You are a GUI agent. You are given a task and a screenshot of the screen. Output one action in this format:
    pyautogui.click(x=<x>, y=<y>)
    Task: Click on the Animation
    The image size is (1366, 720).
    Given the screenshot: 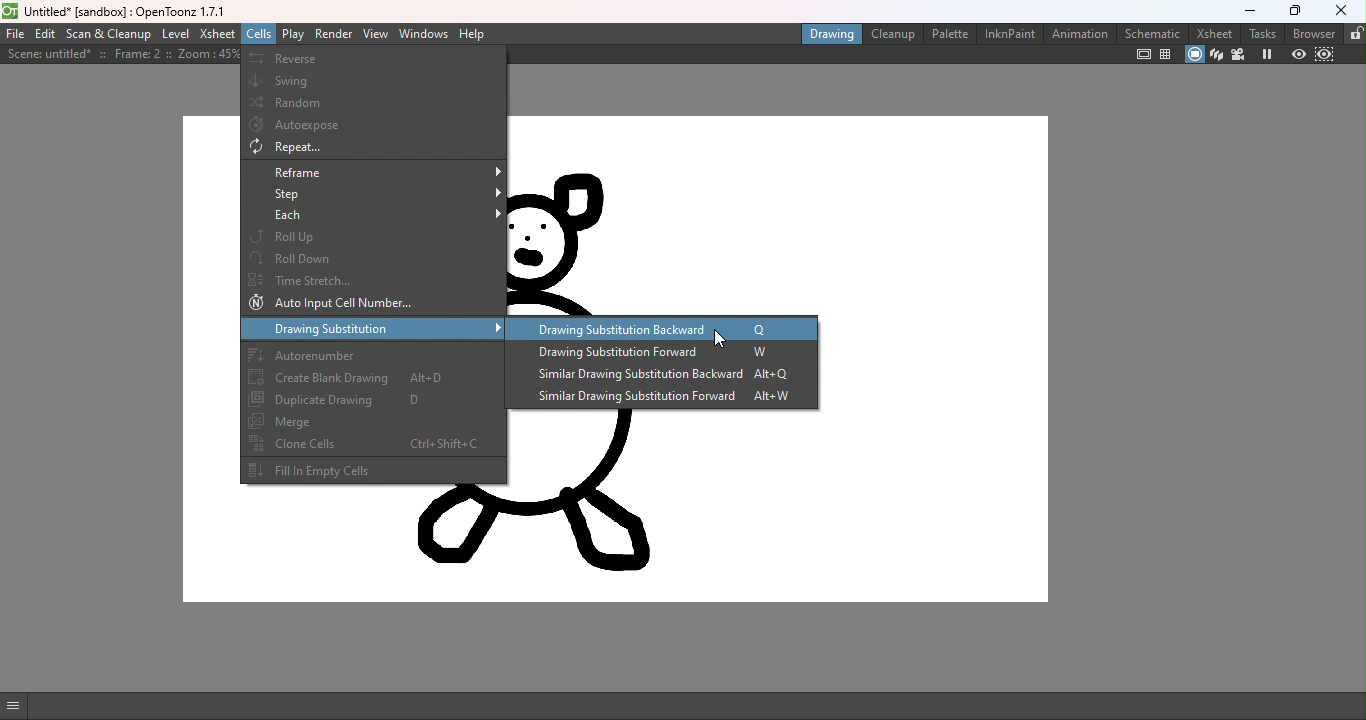 What is the action you would take?
    pyautogui.click(x=1080, y=34)
    